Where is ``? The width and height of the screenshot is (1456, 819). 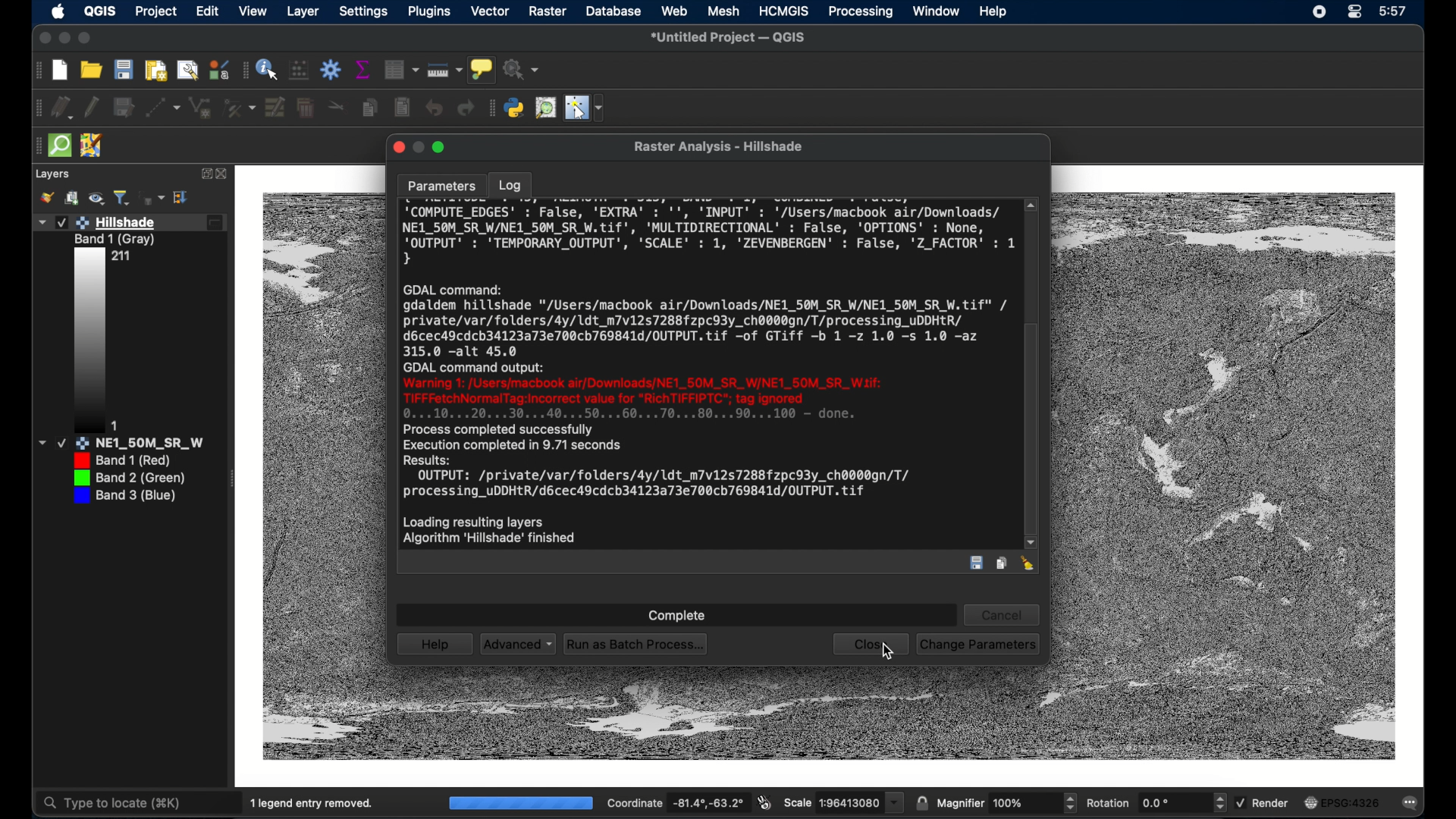
 is located at coordinates (402, 69).